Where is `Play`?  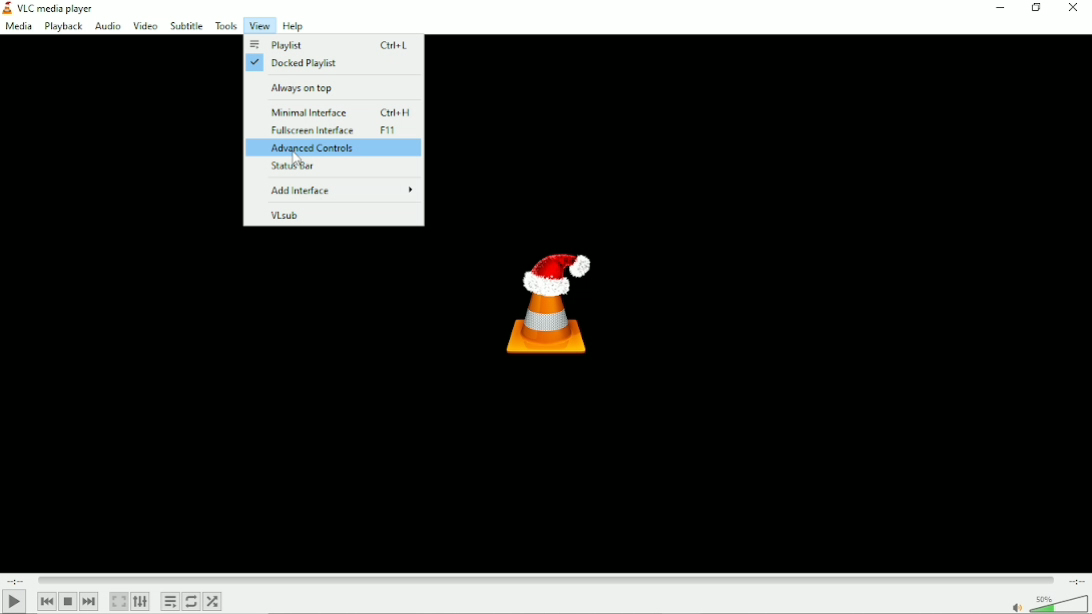 Play is located at coordinates (14, 602).